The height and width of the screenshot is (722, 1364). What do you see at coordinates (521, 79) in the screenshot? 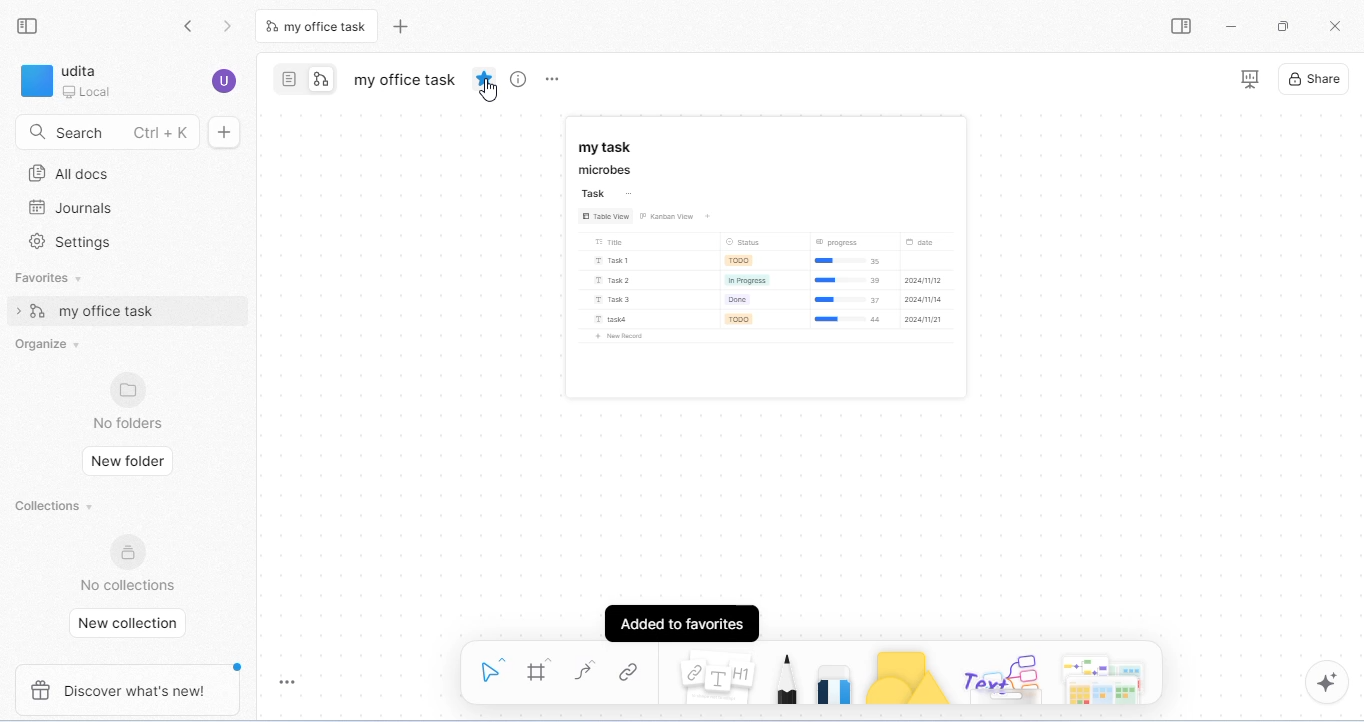
I see `view info` at bounding box center [521, 79].